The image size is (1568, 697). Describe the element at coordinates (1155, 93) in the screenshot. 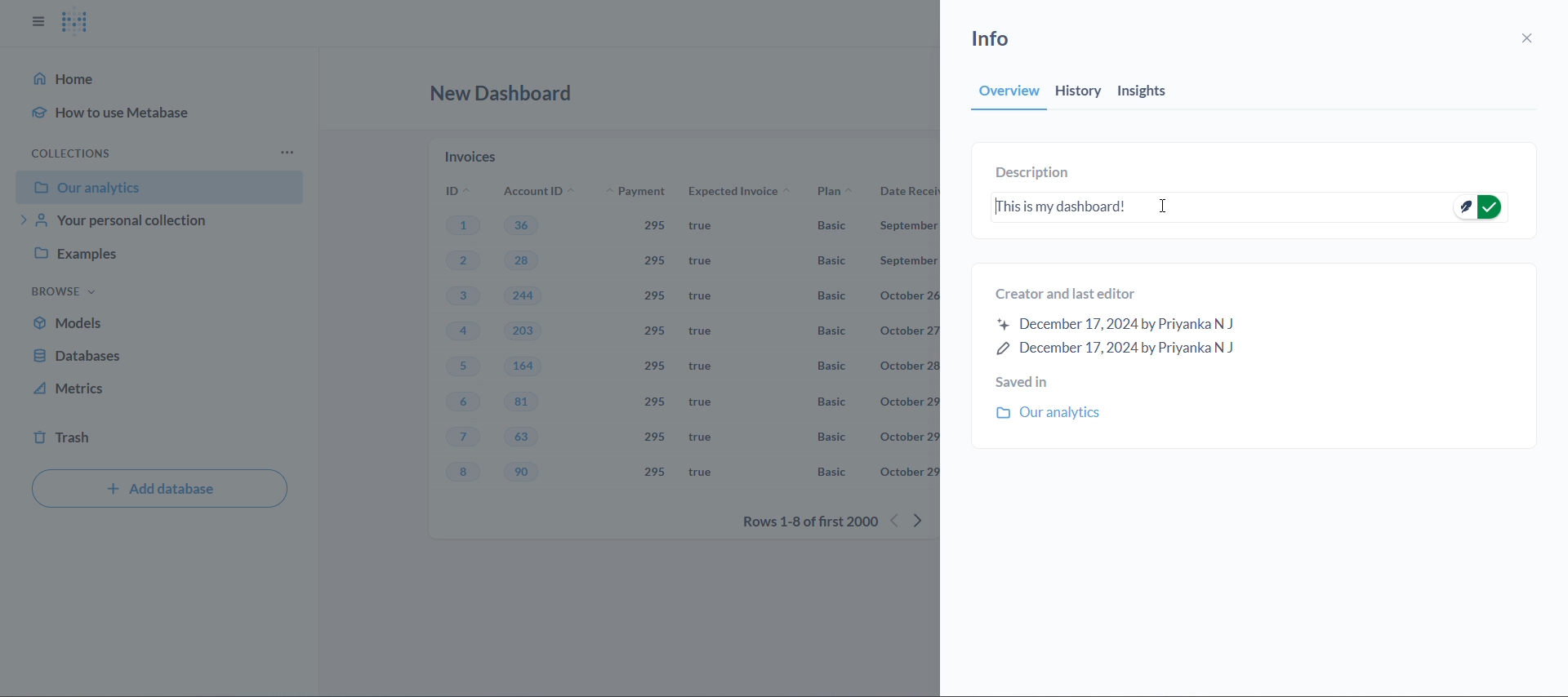

I see `insights` at that location.